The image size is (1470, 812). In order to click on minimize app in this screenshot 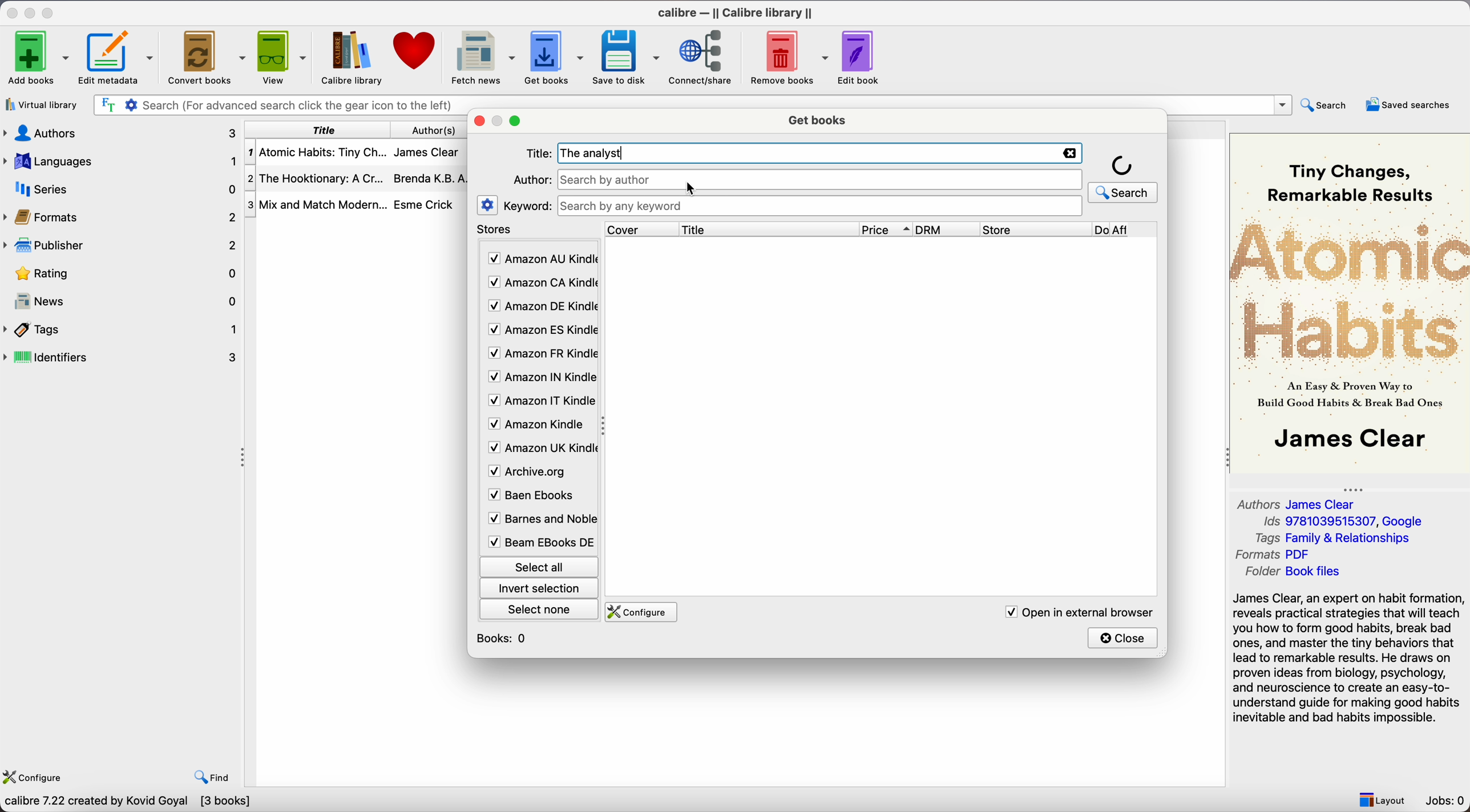, I will do `click(32, 11)`.